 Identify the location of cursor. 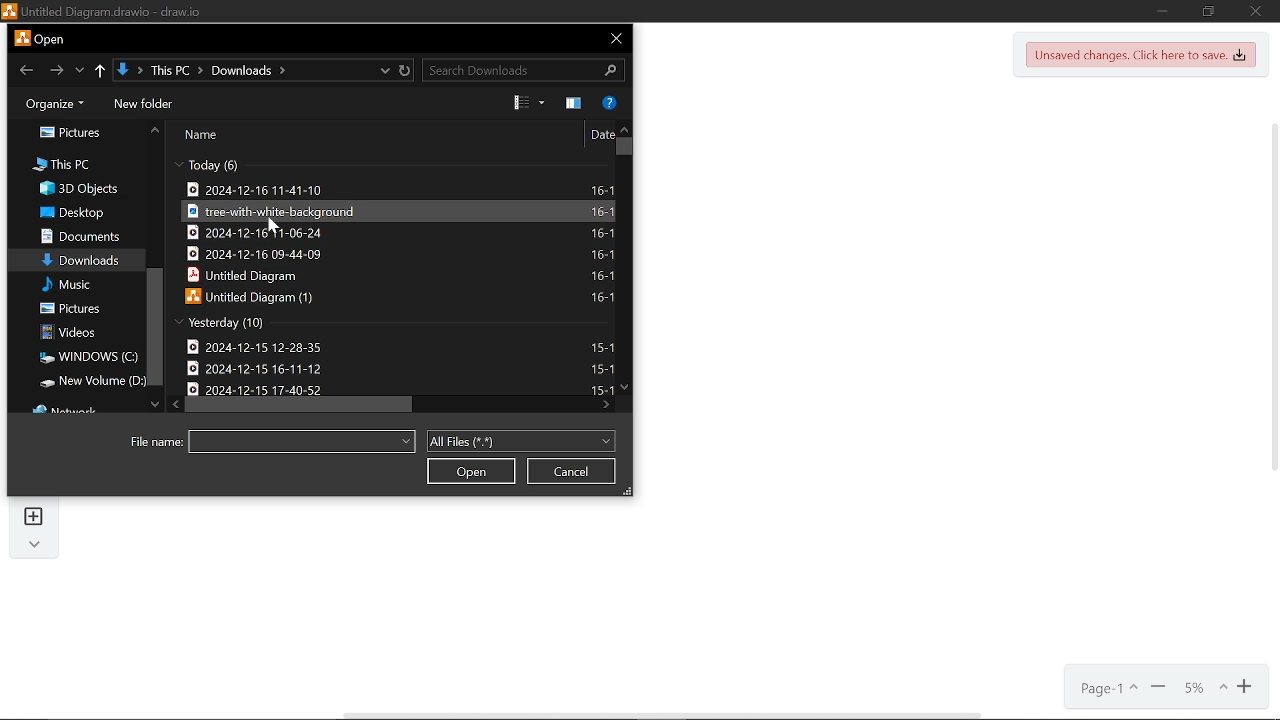
(269, 225).